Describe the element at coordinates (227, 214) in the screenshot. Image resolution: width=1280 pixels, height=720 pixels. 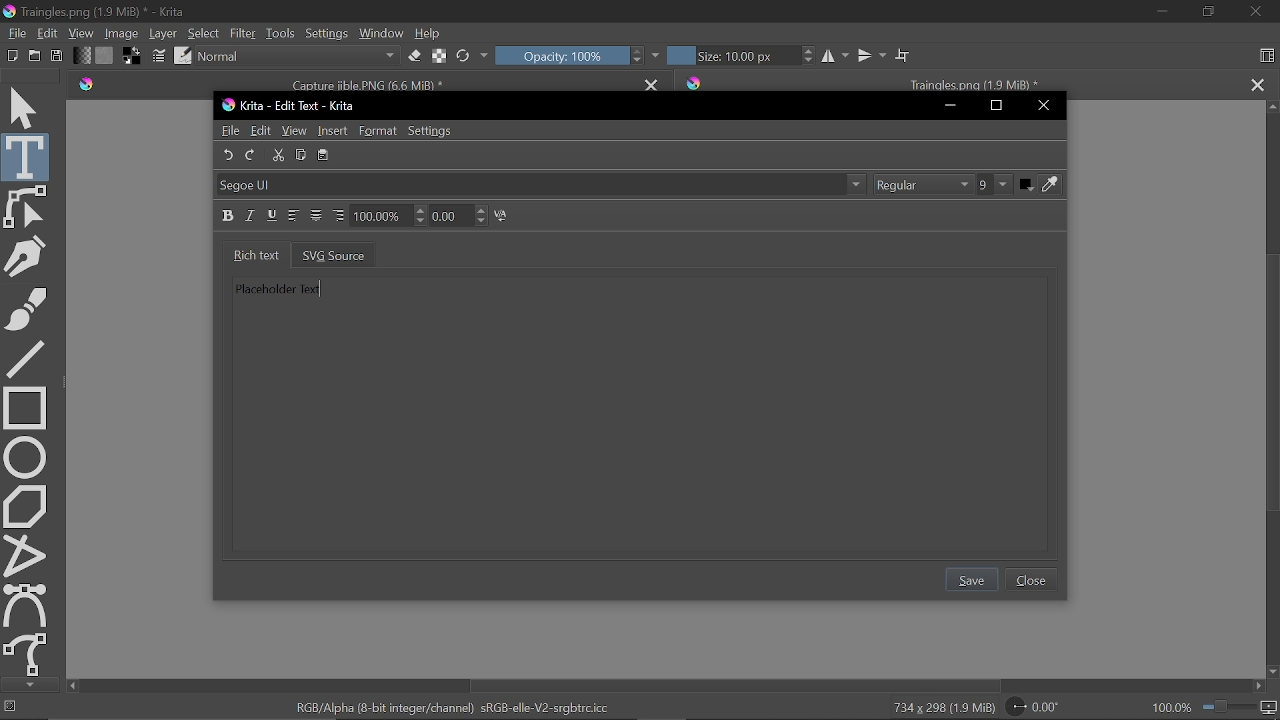
I see `Bold` at that location.